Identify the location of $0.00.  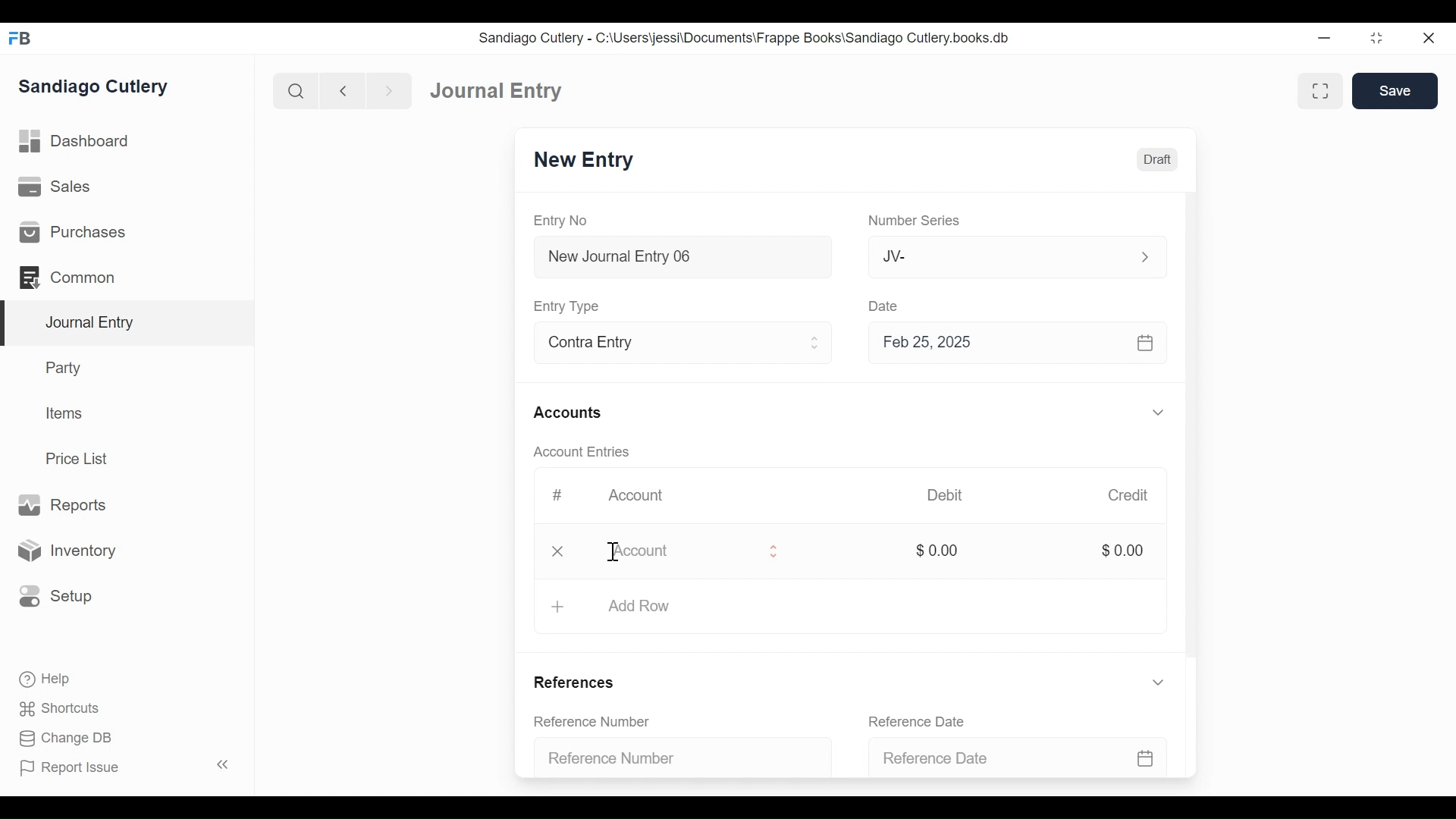
(938, 549).